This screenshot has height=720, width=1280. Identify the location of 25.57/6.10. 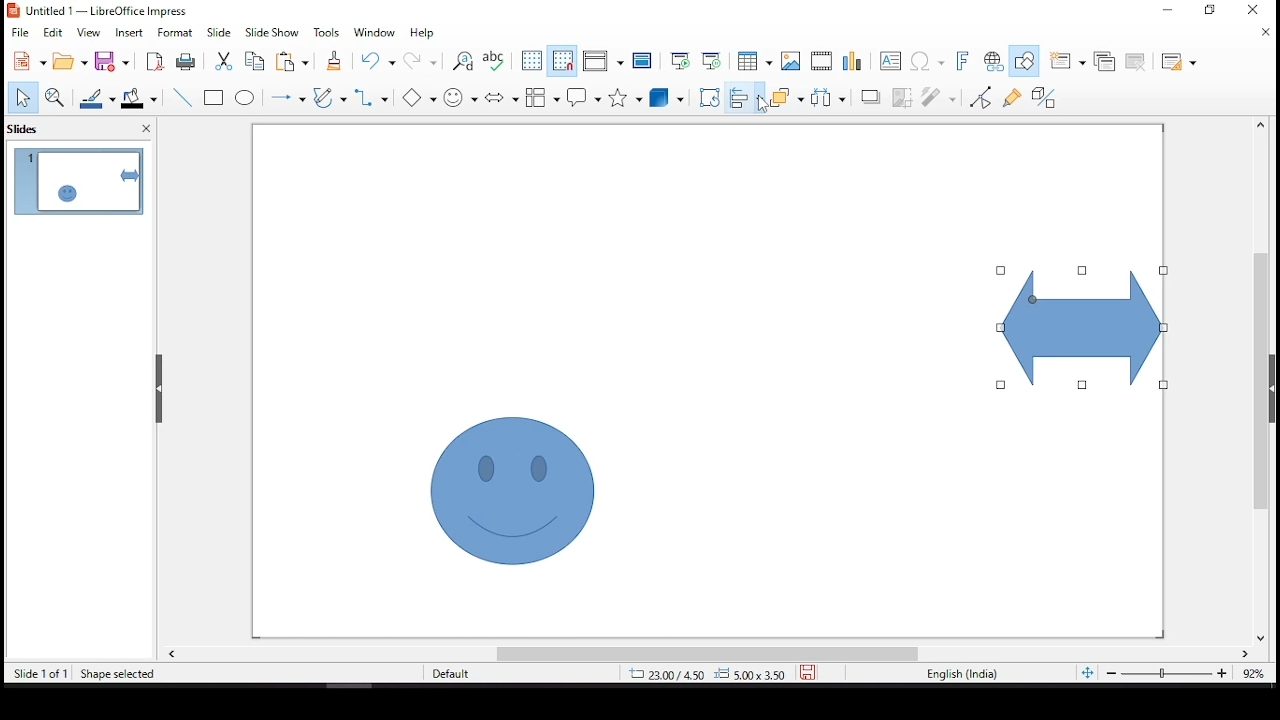
(665, 675).